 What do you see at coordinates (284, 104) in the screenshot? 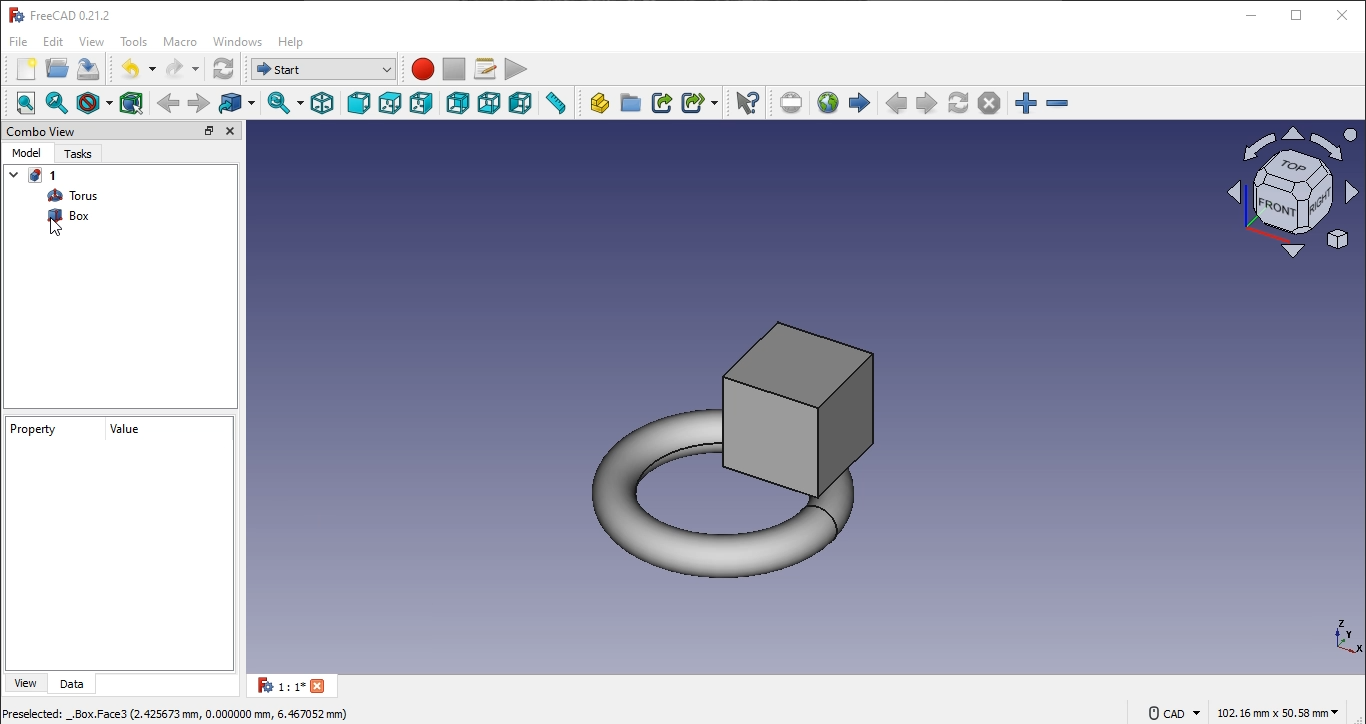
I see `sync view` at bounding box center [284, 104].